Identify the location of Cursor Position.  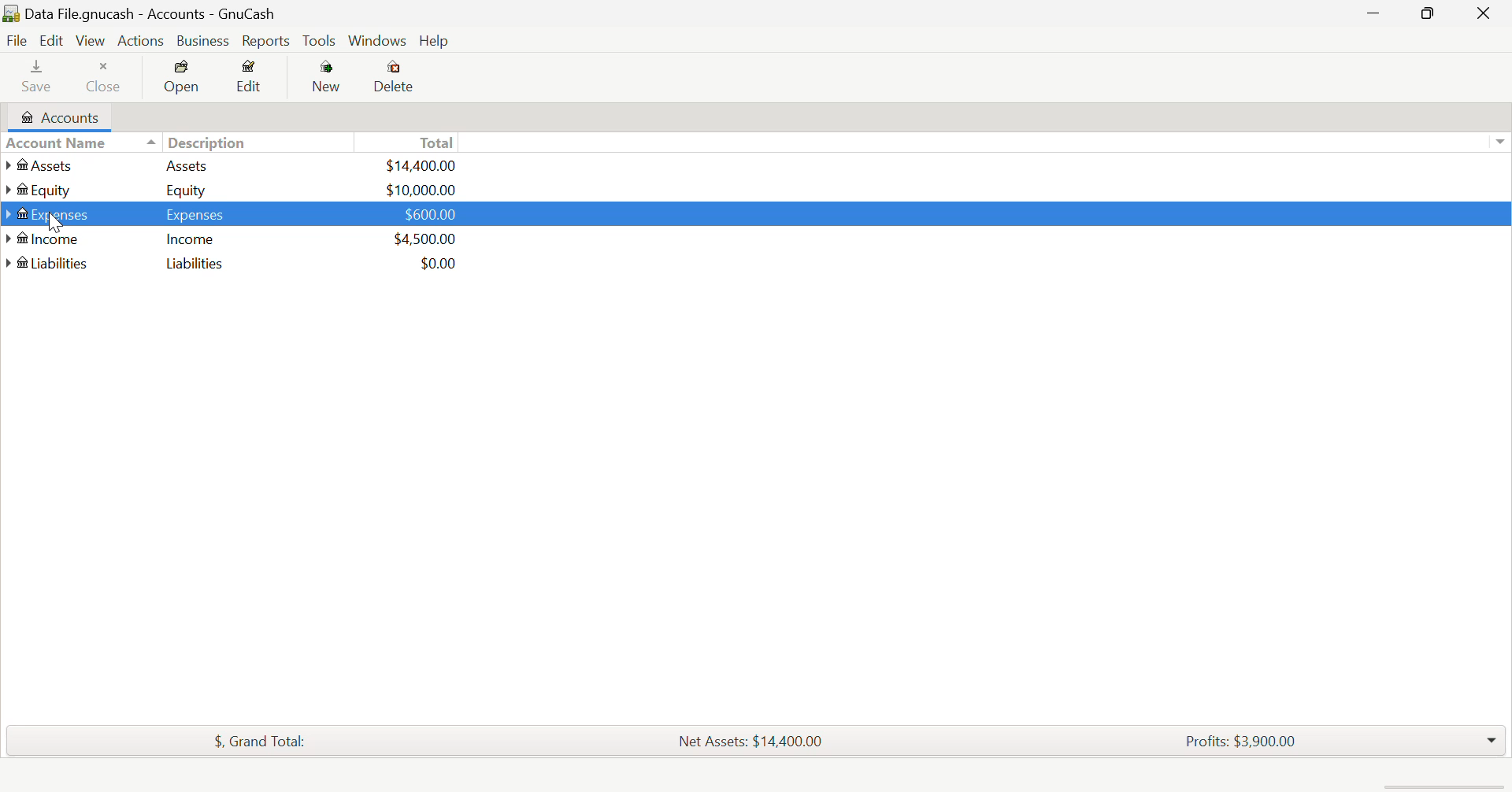
(54, 220).